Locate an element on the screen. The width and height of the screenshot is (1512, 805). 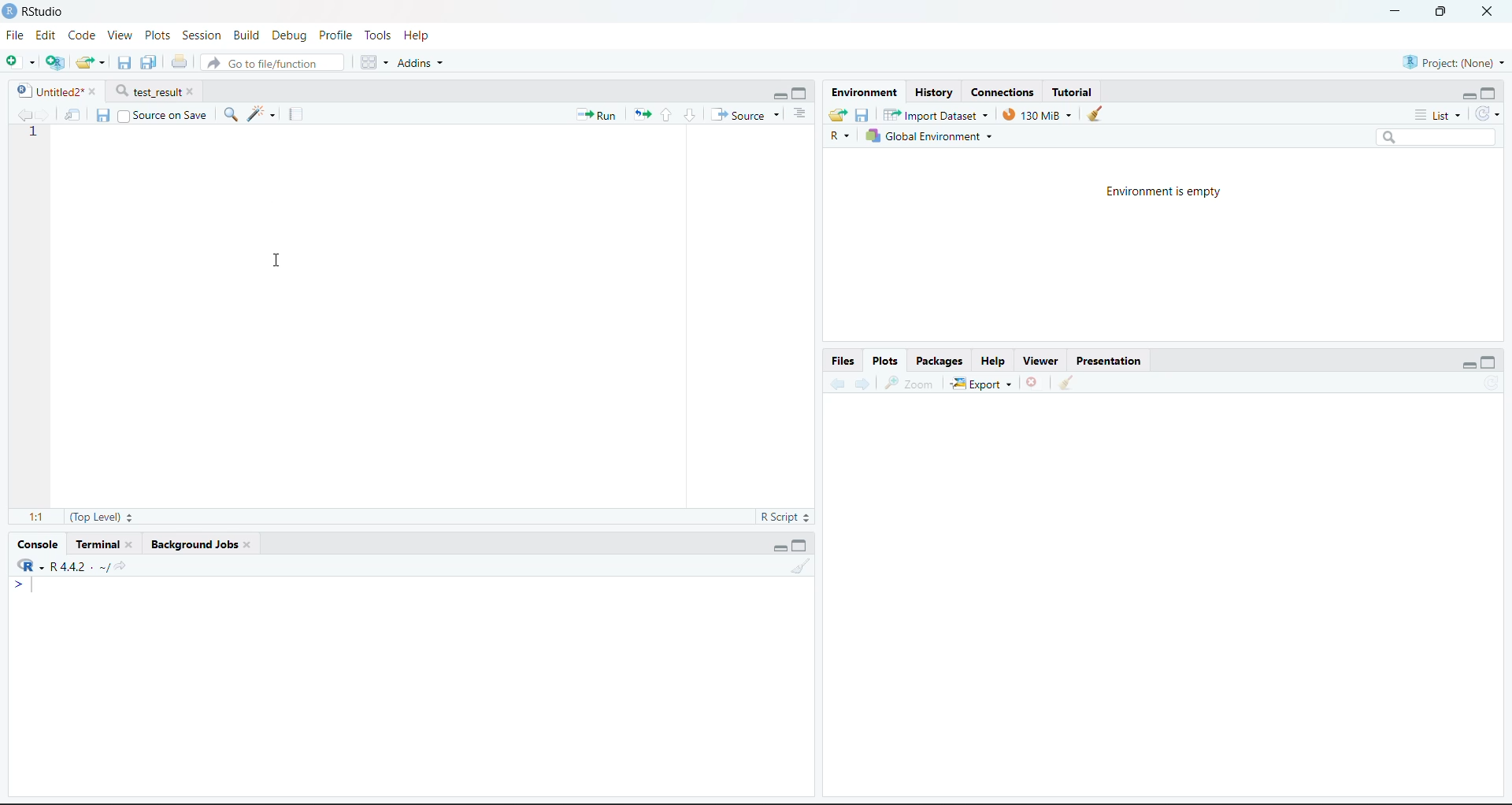
R is located at coordinates (27, 566).